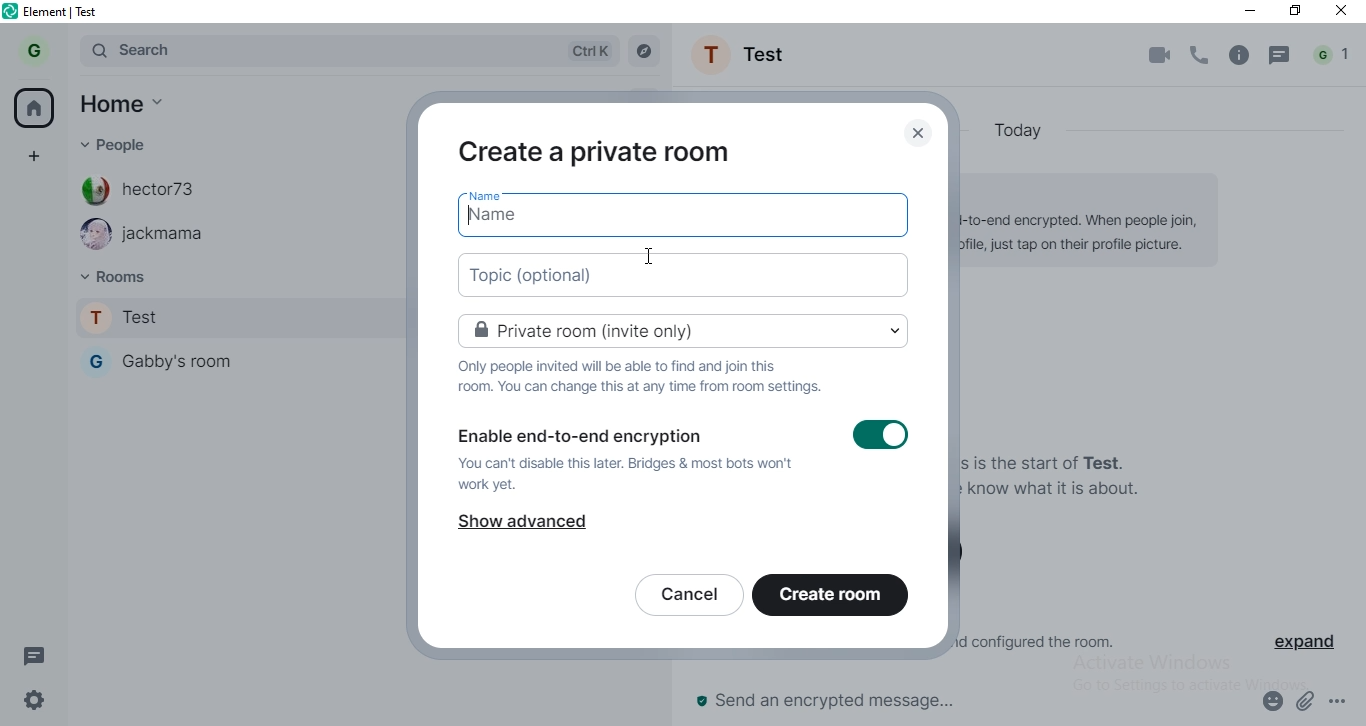 This screenshot has height=726, width=1366. I want to click on minimise, so click(1251, 10).